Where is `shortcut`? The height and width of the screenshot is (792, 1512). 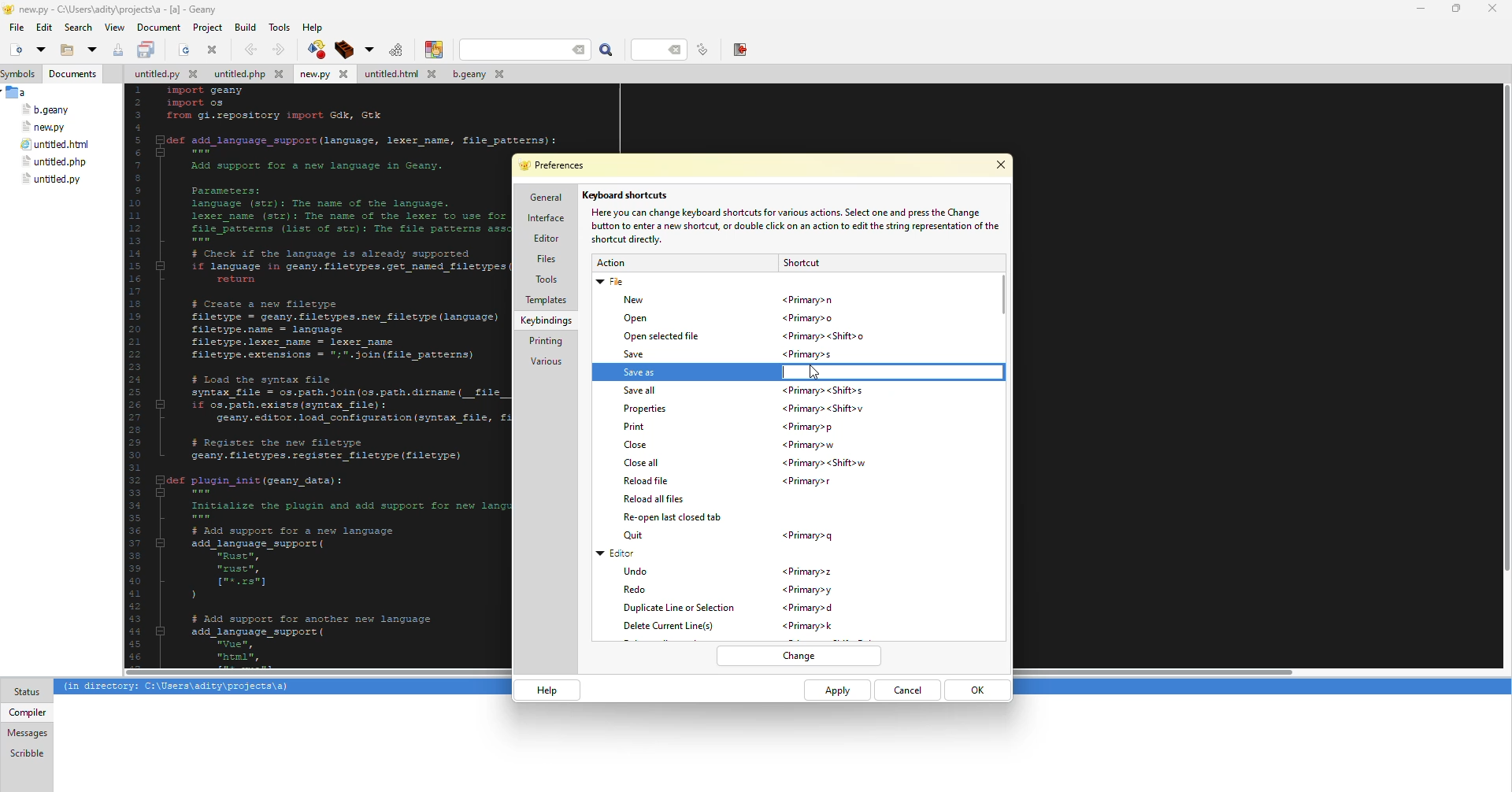
shortcut is located at coordinates (821, 390).